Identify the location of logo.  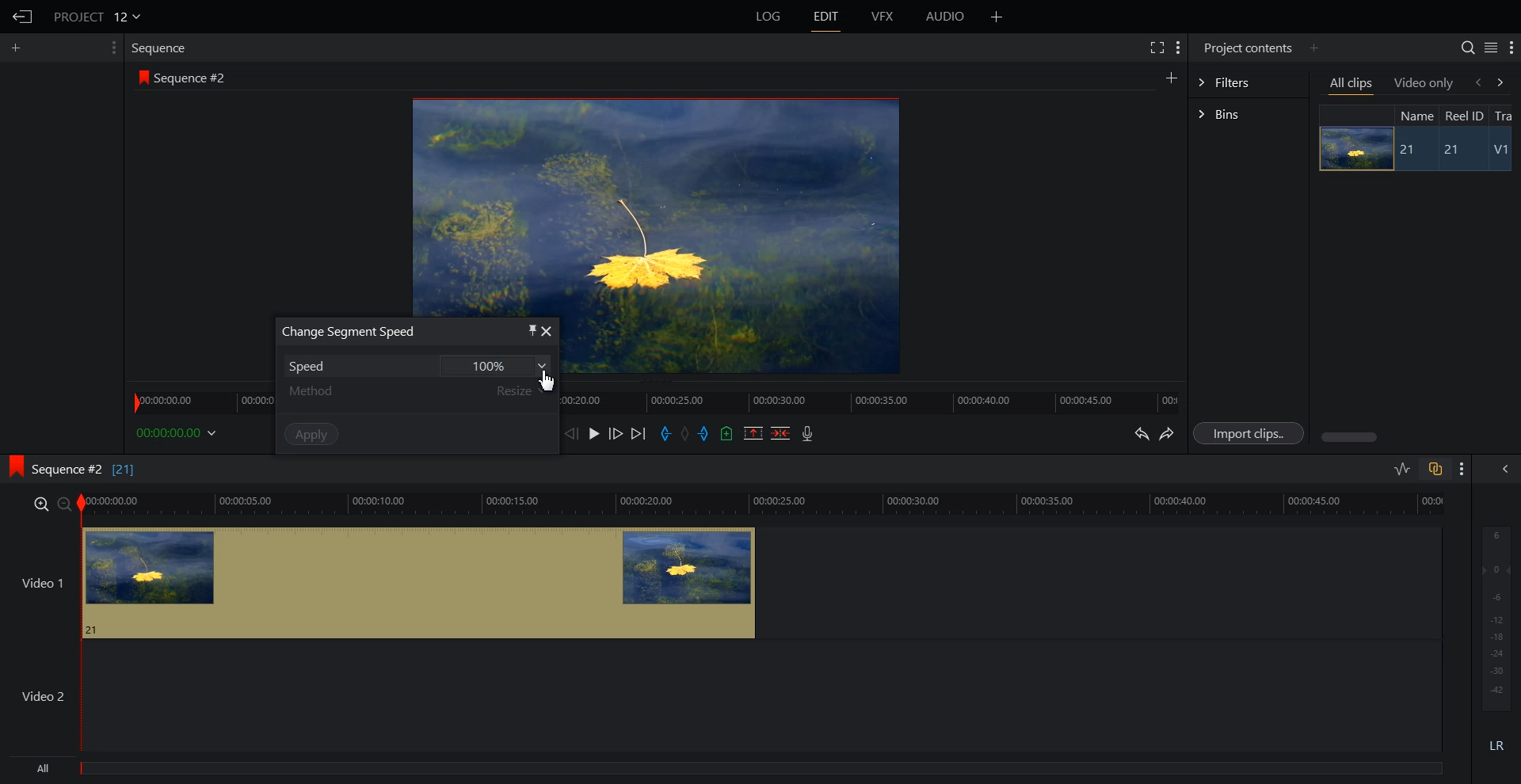
(11, 464).